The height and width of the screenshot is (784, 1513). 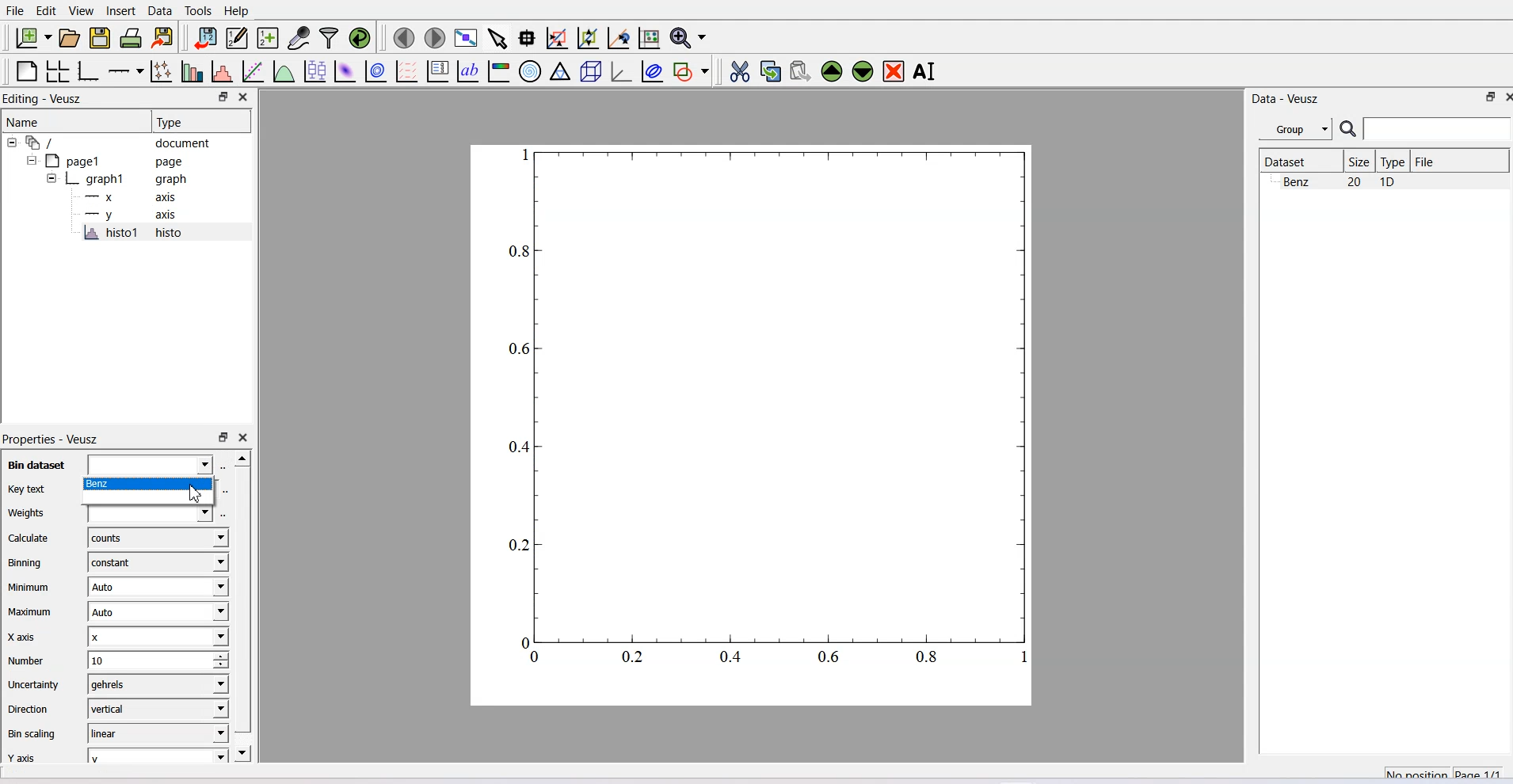 What do you see at coordinates (120, 161) in the screenshot?
I see `Page` at bounding box center [120, 161].